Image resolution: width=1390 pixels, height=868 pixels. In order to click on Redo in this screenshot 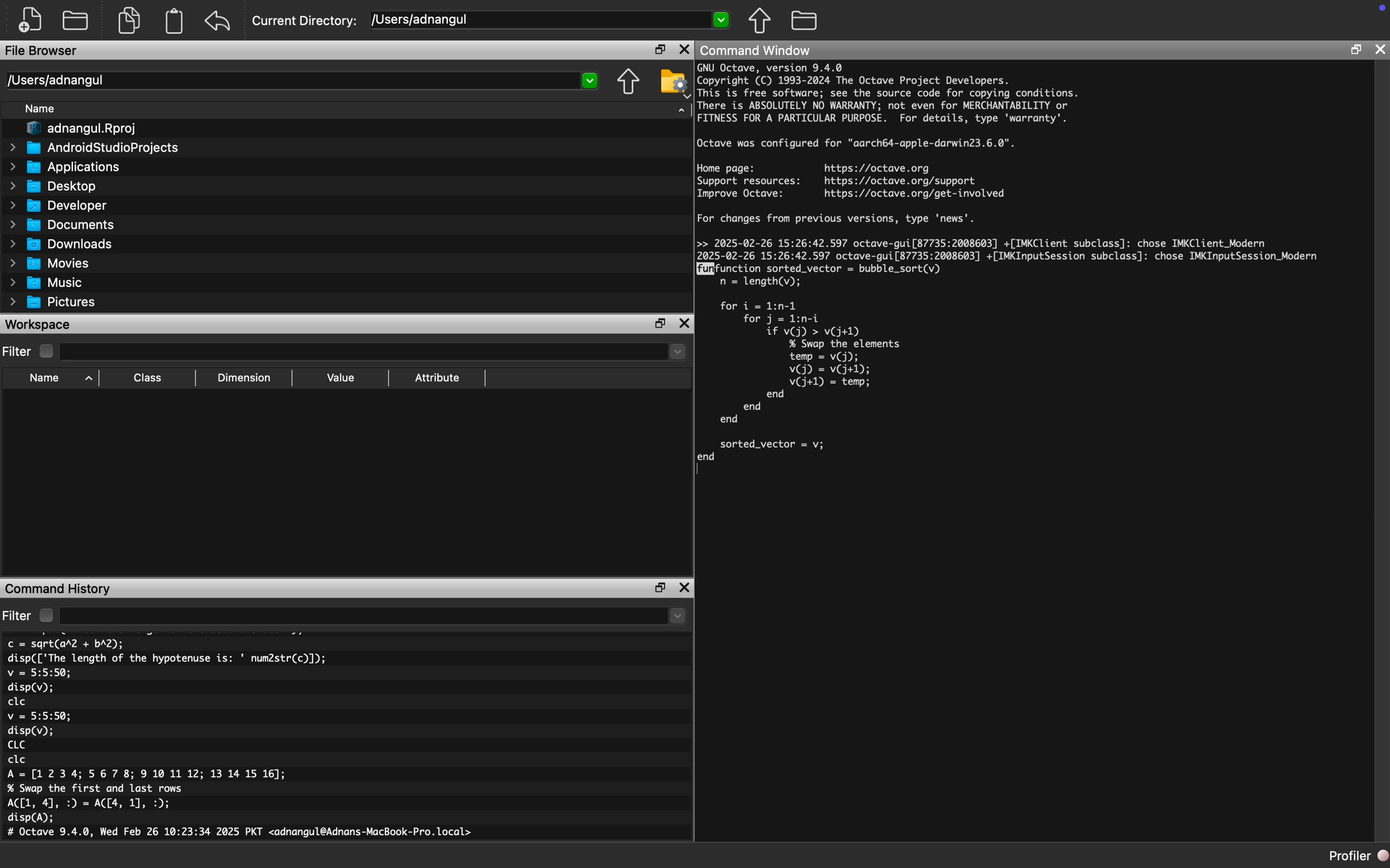, I will do `click(219, 21)`.